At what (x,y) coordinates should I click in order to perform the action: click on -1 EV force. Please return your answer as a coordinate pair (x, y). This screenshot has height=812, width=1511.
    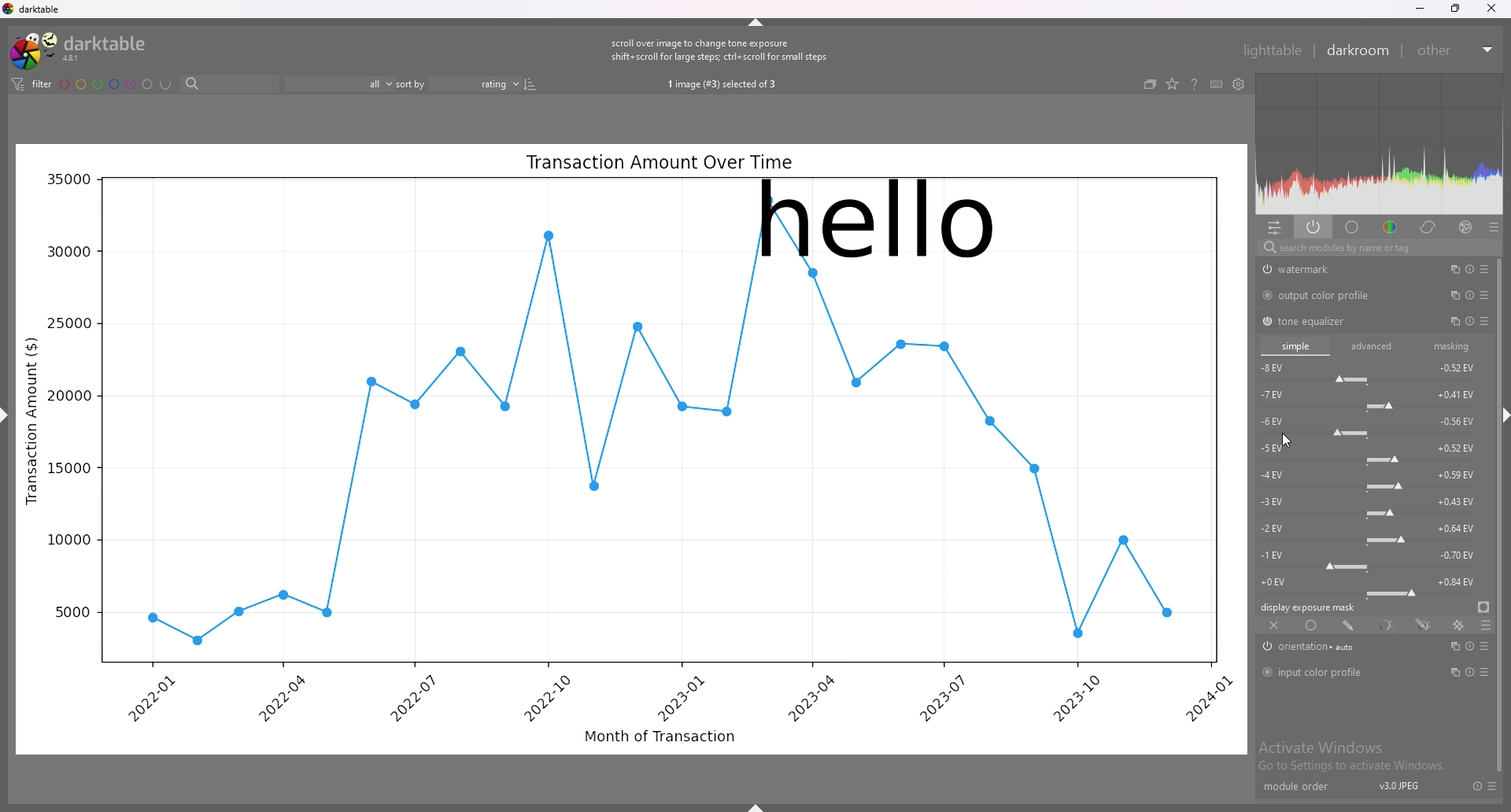
    Looking at the image, I should click on (1372, 559).